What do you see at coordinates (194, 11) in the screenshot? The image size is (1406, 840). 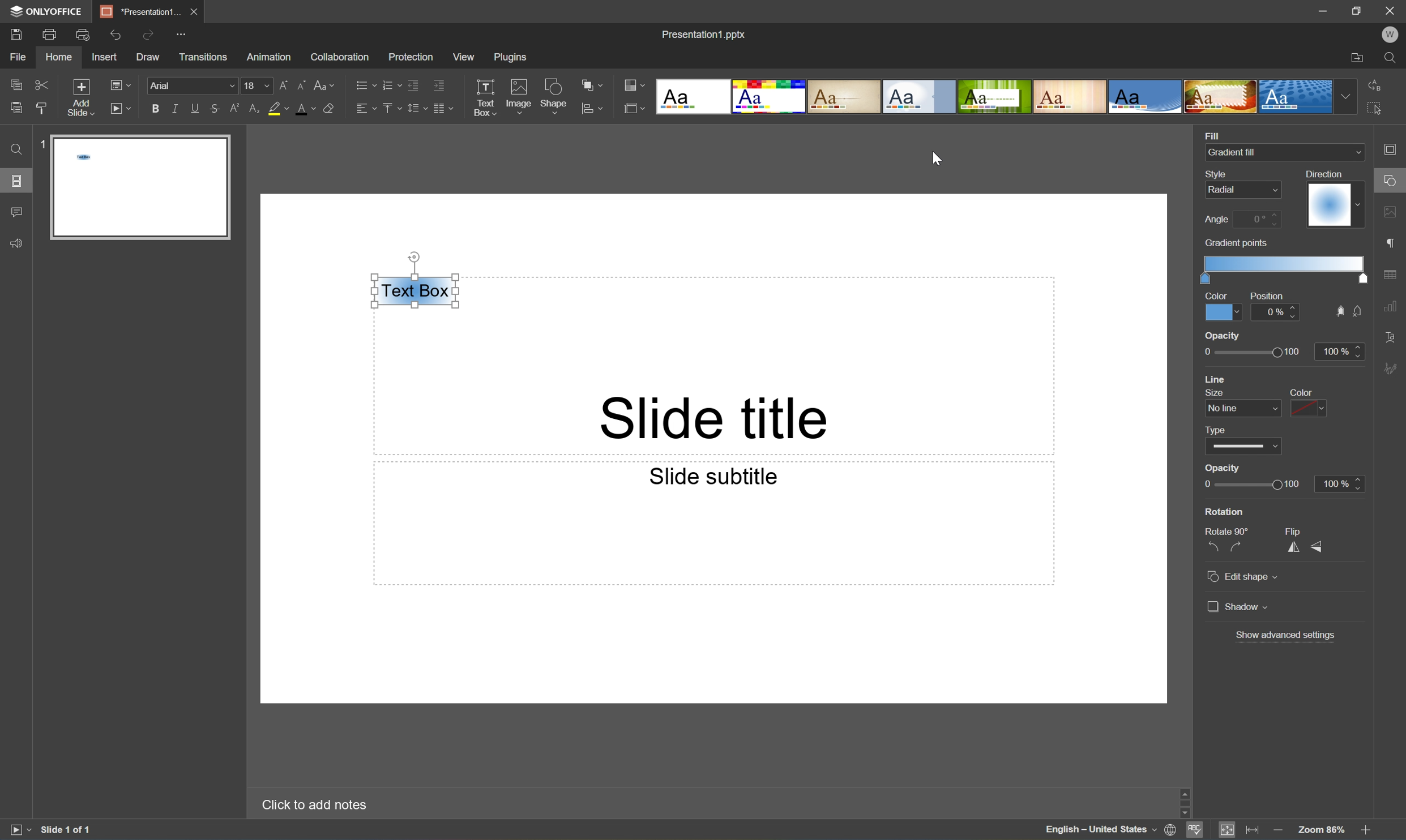 I see `Close` at bounding box center [194, 11].